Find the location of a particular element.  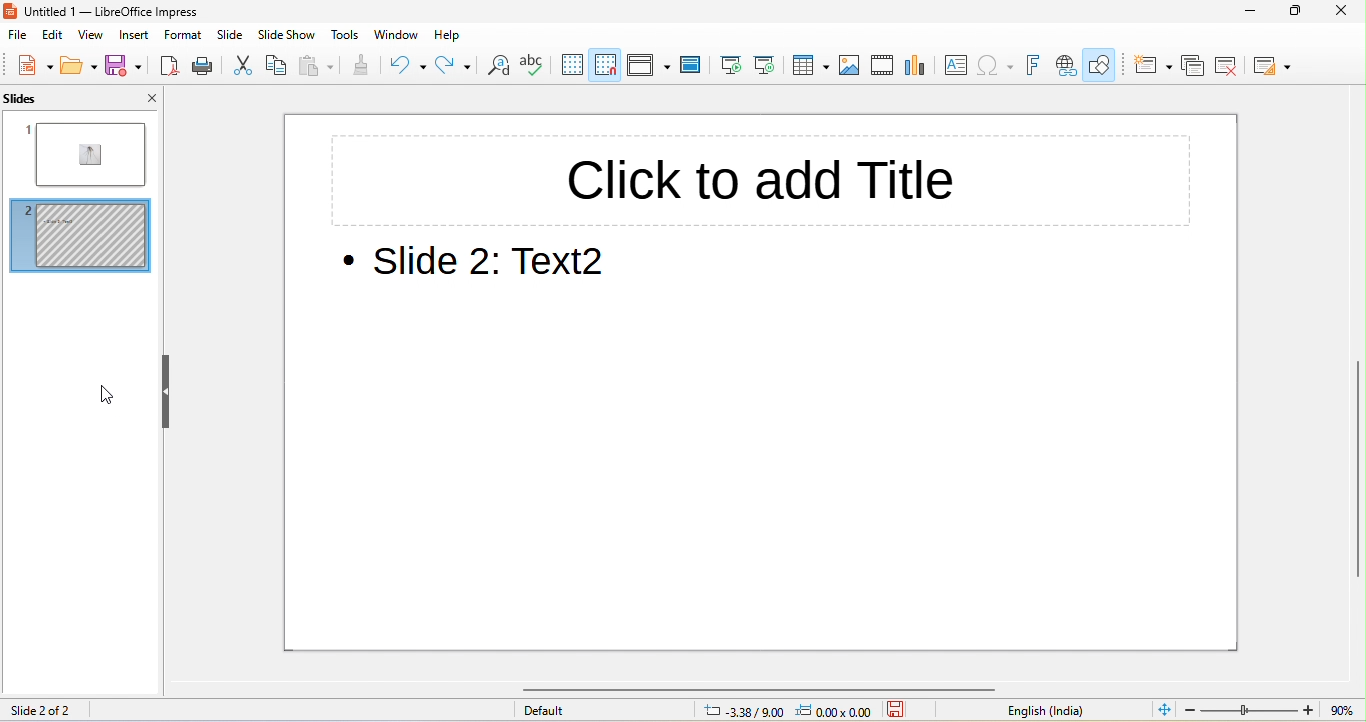

new is located at coordinates (29, 67).